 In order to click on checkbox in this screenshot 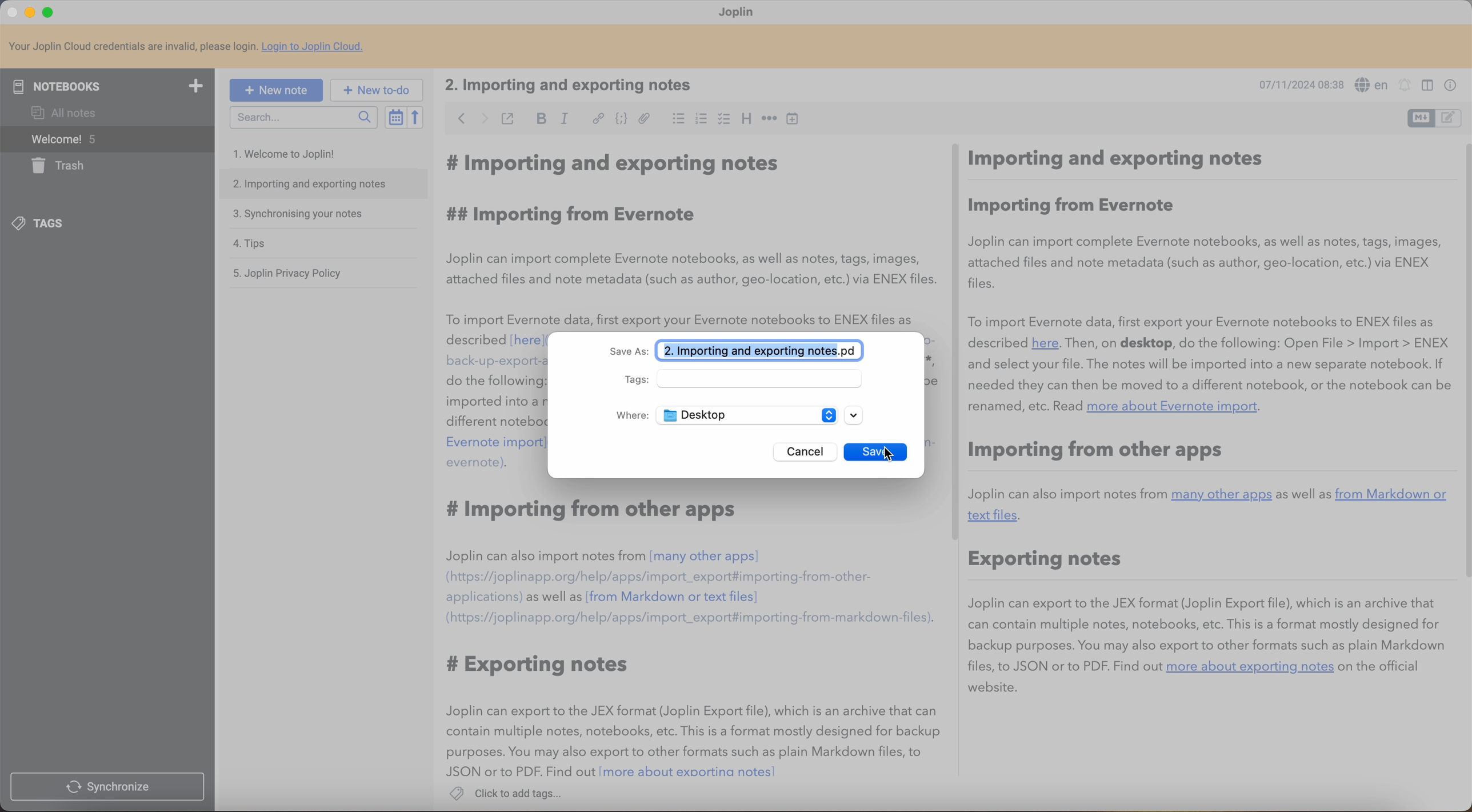, I will do `click(724, 118)`.